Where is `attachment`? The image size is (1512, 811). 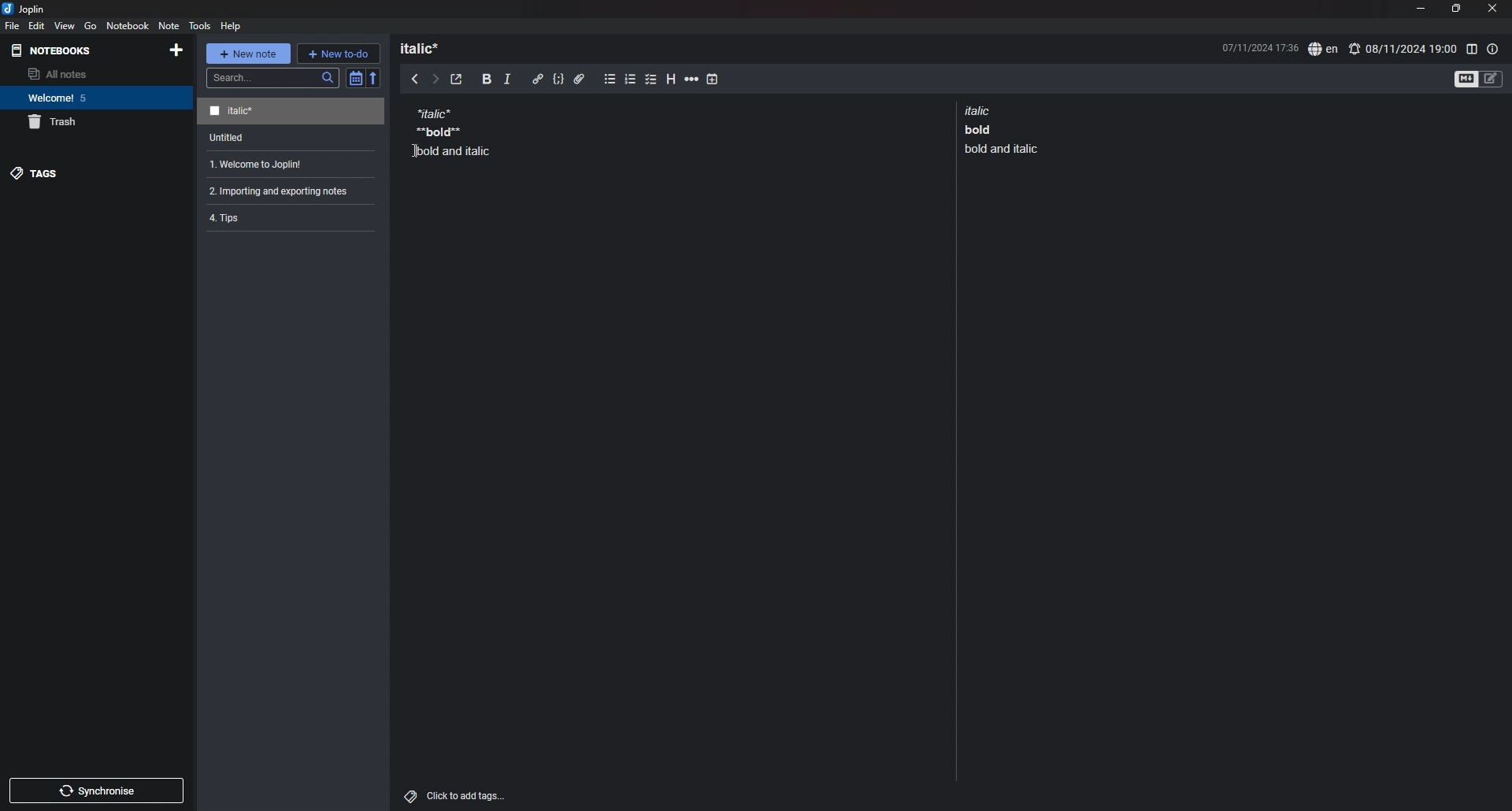
attachment is located at coordinates (580, 80).